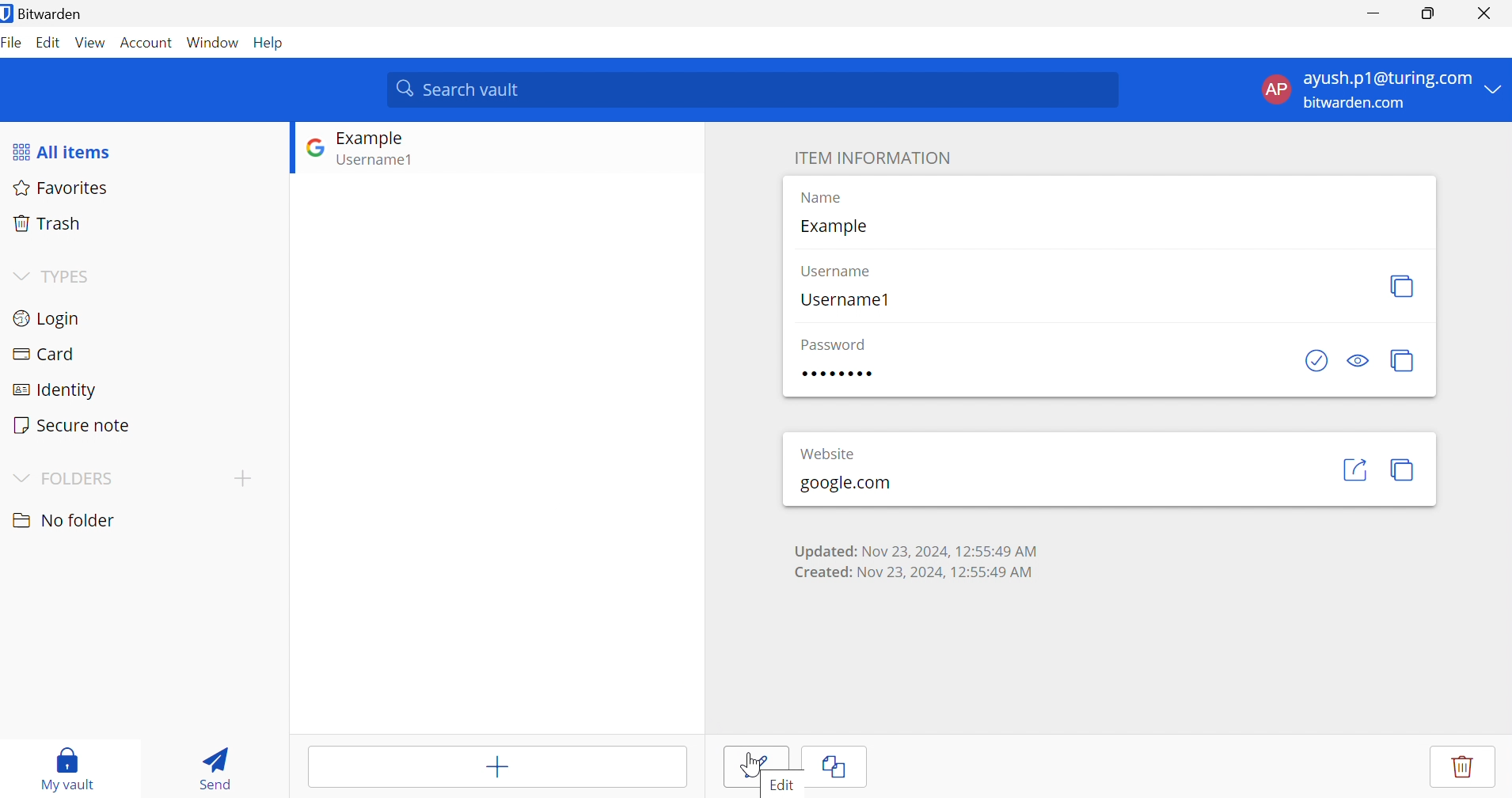 This screenshot has height=798, width=1512. Describe the element at coordinates (146, 42) in the screenshot. I see `Account` at that location.